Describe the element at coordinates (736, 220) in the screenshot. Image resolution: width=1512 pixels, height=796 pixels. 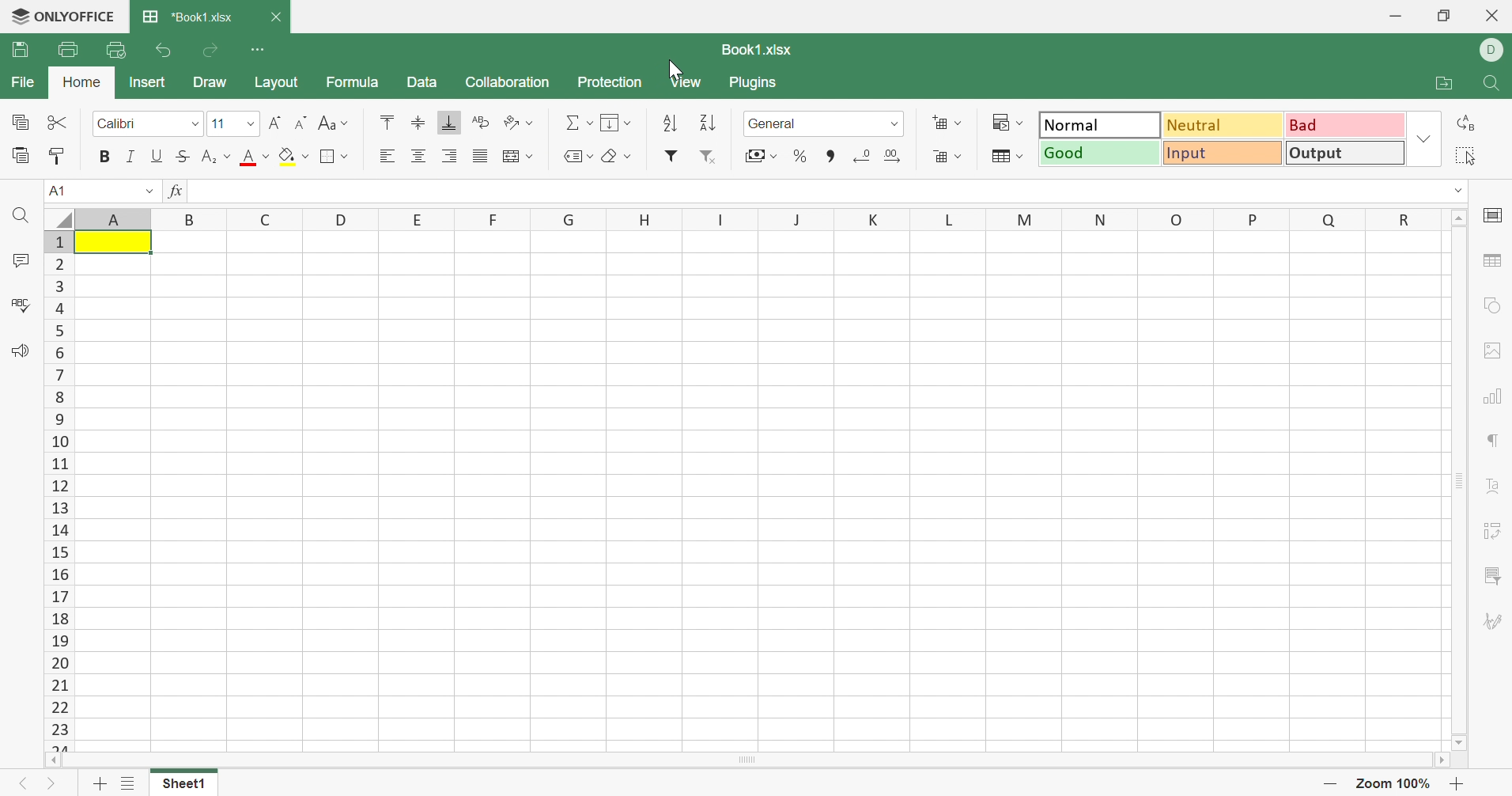
I see `Column Names` at that location.